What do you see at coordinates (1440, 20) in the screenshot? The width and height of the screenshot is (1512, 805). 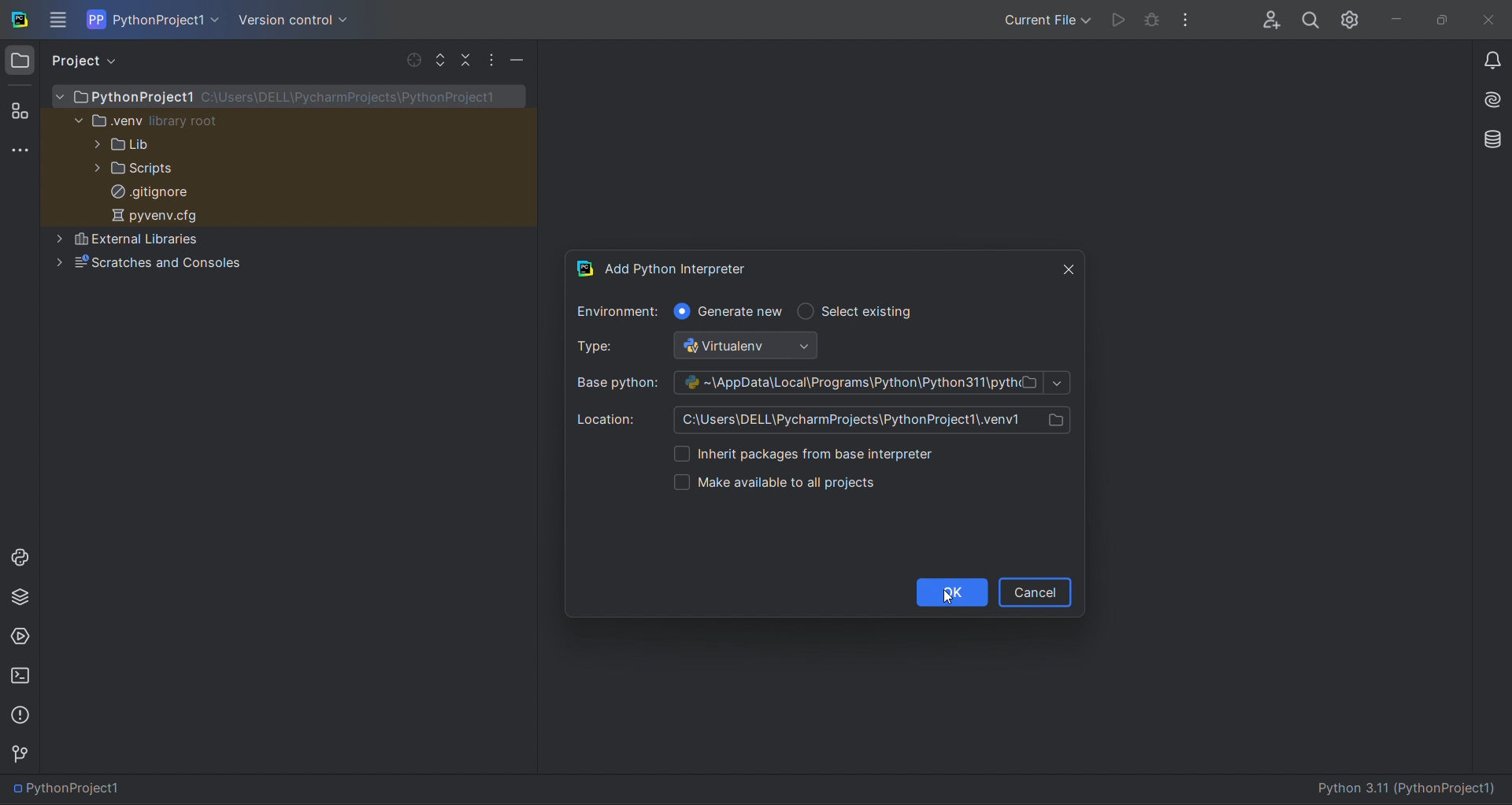 I see `maximize` at bounding box center [1440, 20].